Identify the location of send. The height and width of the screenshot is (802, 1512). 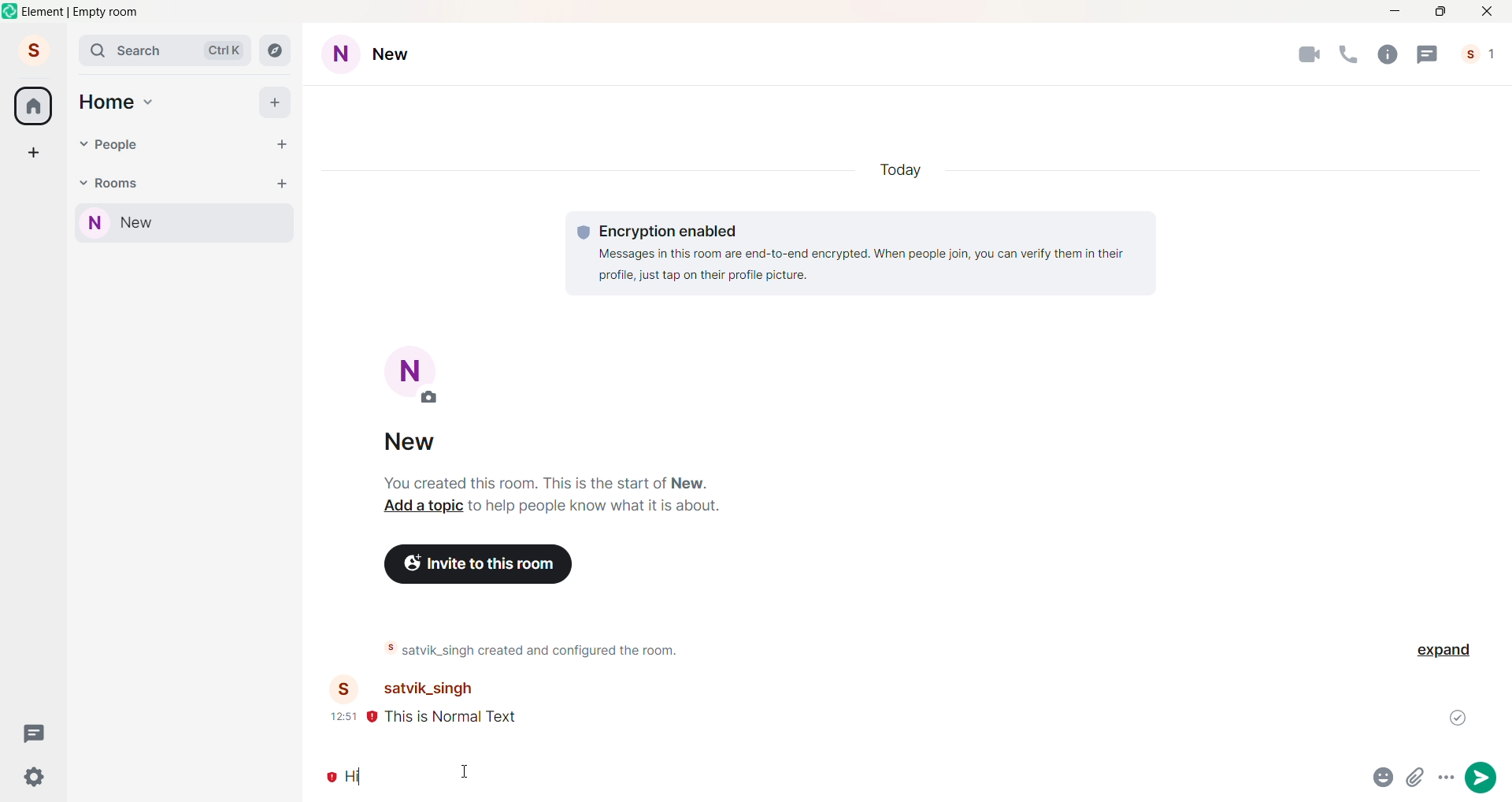
(1480, 778).